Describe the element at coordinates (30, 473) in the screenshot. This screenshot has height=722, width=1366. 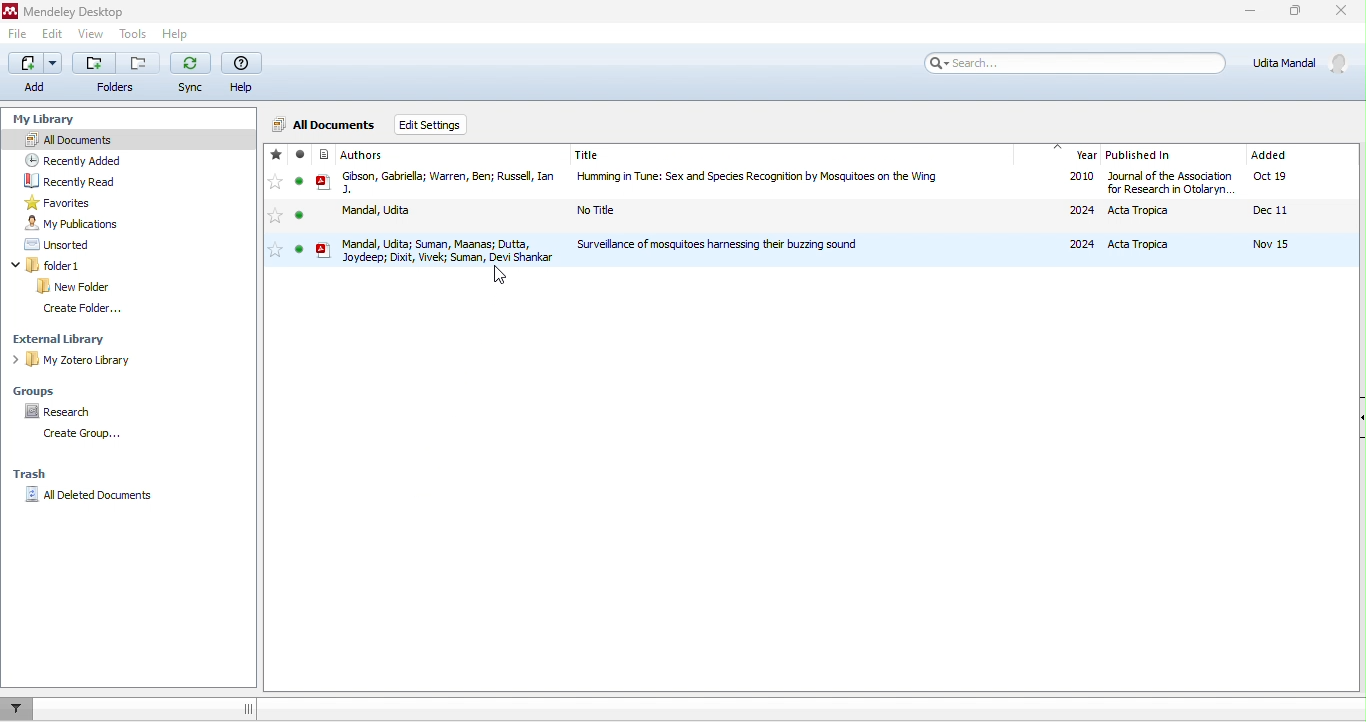
I see `trash` at that location.